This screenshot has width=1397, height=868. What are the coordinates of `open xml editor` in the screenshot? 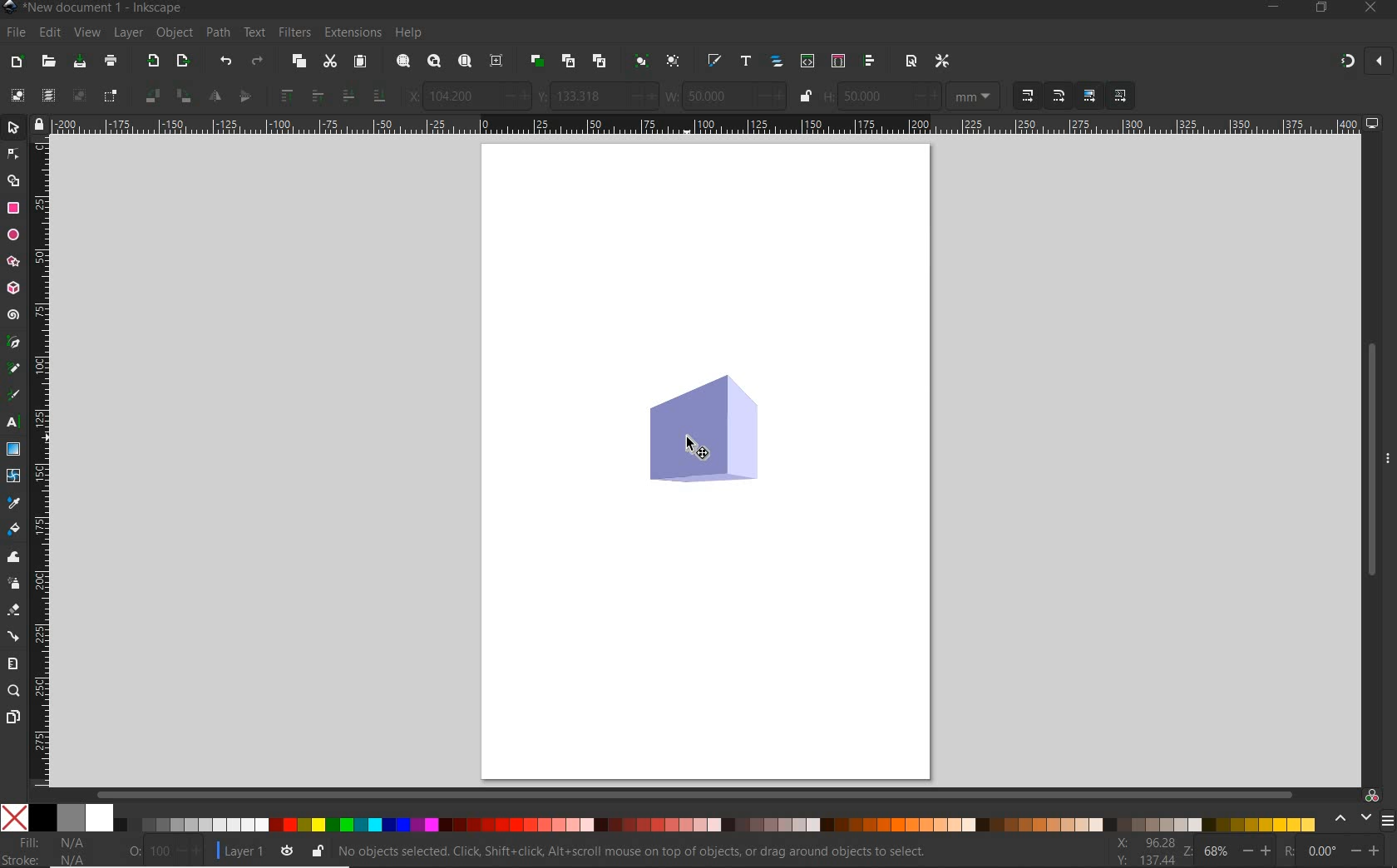 It's located at (807, 61).